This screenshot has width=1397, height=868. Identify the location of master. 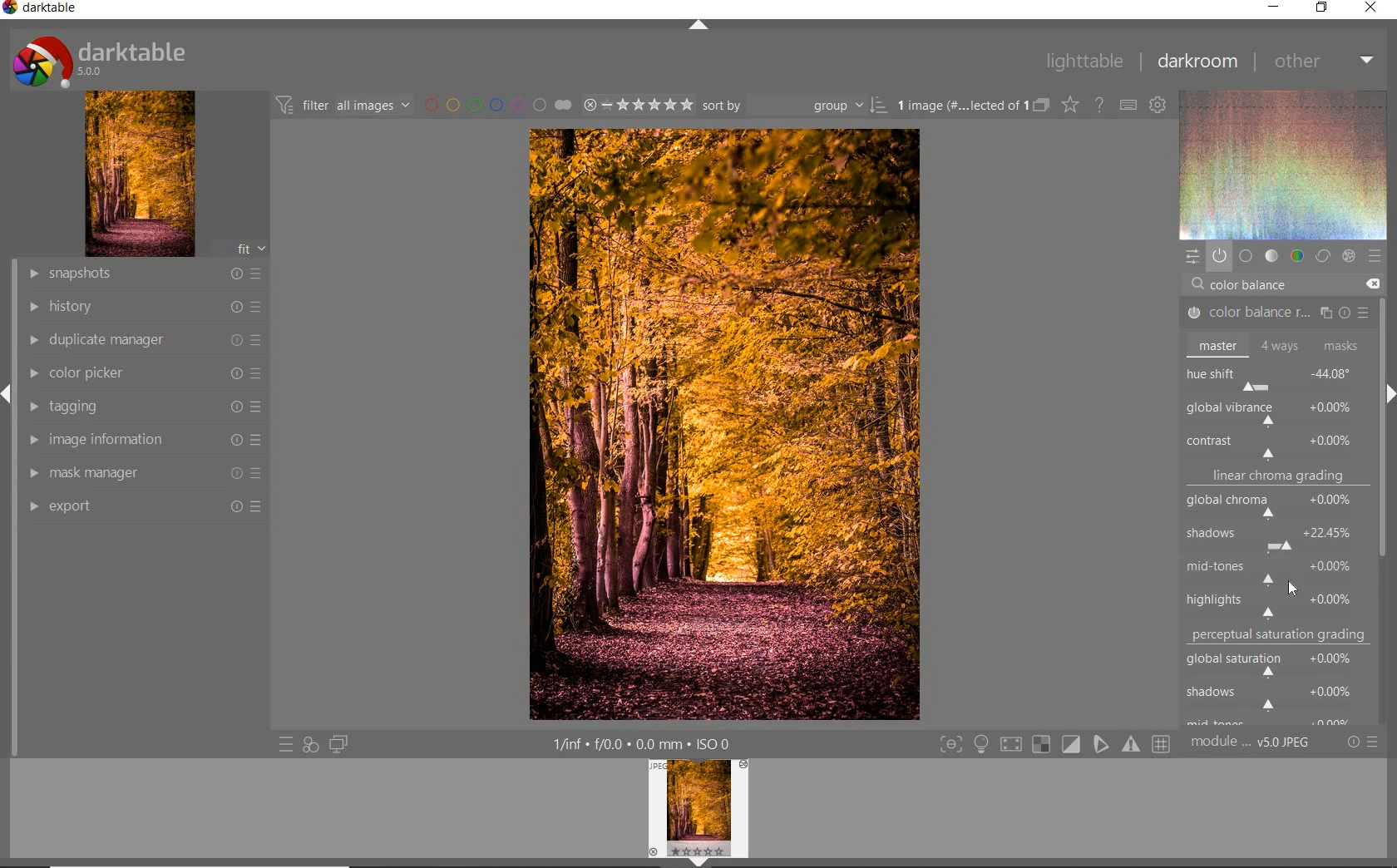
(1274, 345).